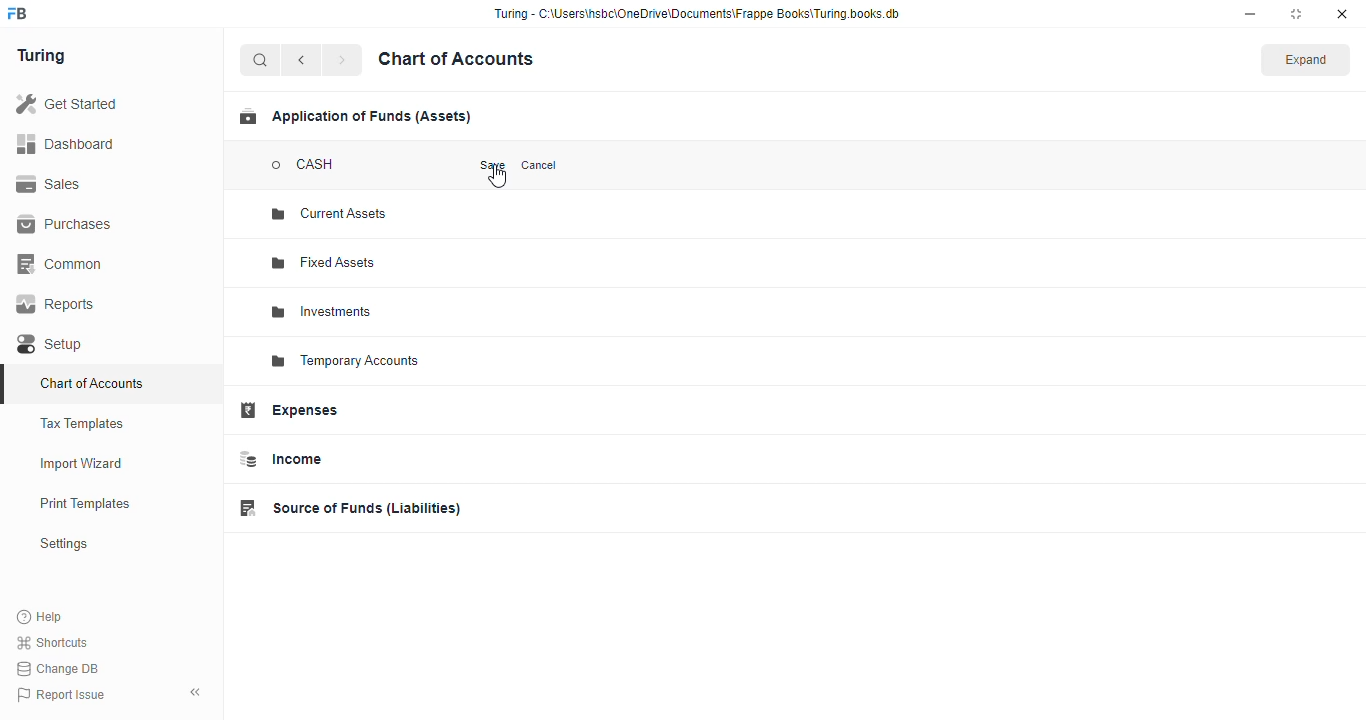  I want to click on turing, so click(40, 56).